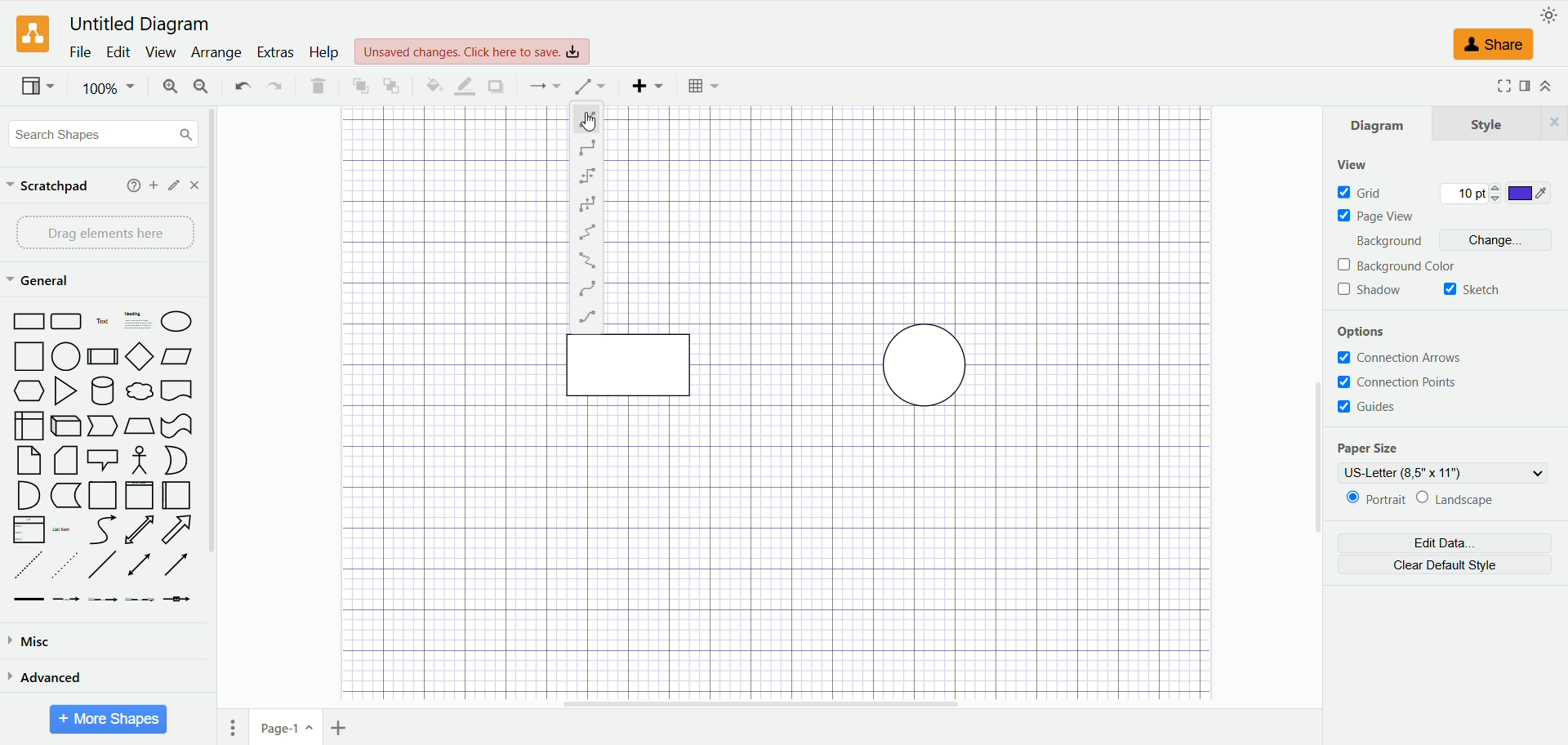  What do you see at coordinates (180, 602) in the screenshot?
I see `Connector with Icon Symbol` at bounding box center [180, 602].